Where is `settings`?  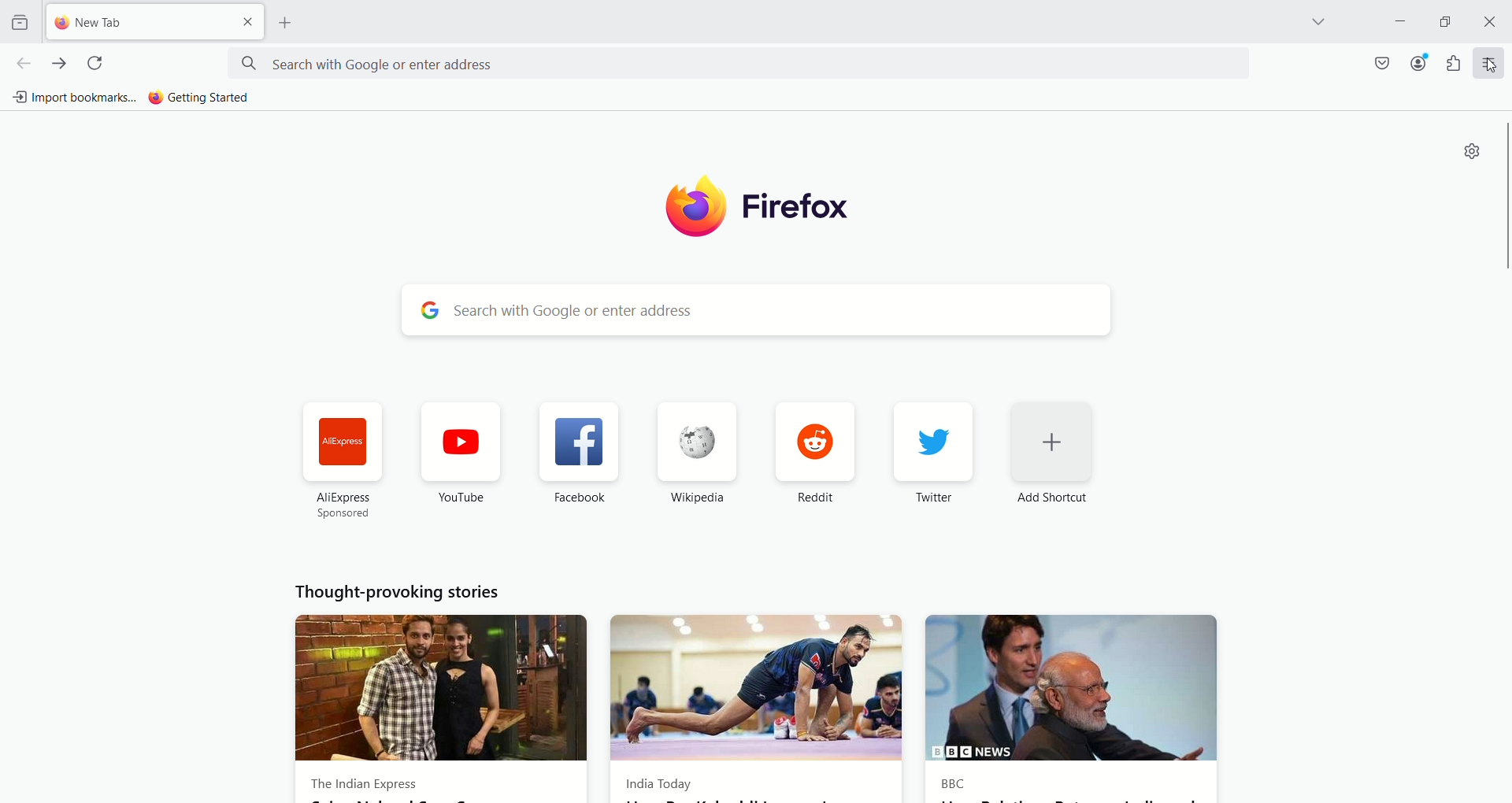
settings is located at coordinates (1475, 150).